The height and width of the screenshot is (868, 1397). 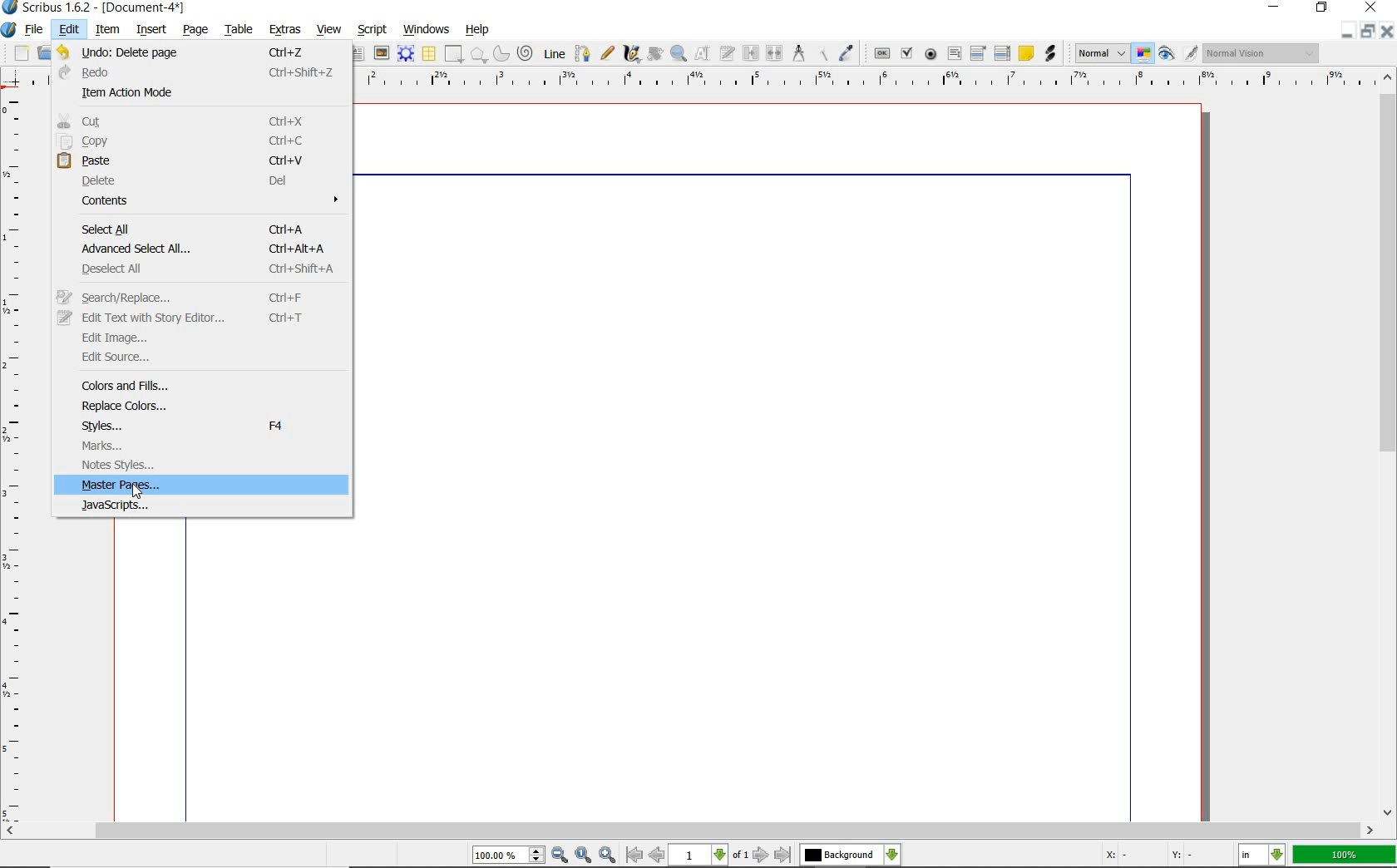 What do you see at coordinates (1025, 54) in the screenshot?
I see `text annotation` at bounding box center [1025, 54].